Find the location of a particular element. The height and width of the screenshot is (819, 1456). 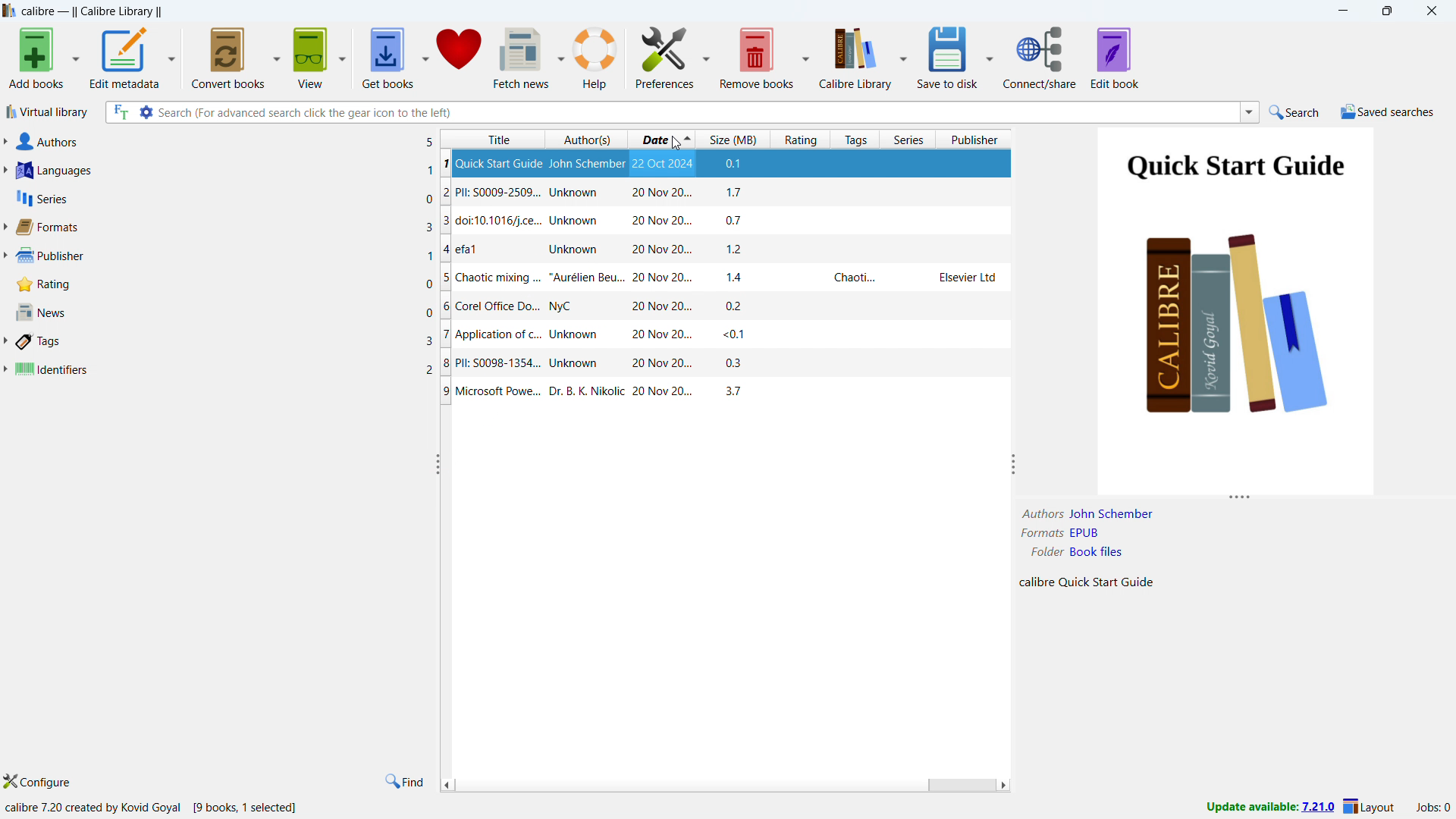

1.2 is located at coordinates (741, 221).